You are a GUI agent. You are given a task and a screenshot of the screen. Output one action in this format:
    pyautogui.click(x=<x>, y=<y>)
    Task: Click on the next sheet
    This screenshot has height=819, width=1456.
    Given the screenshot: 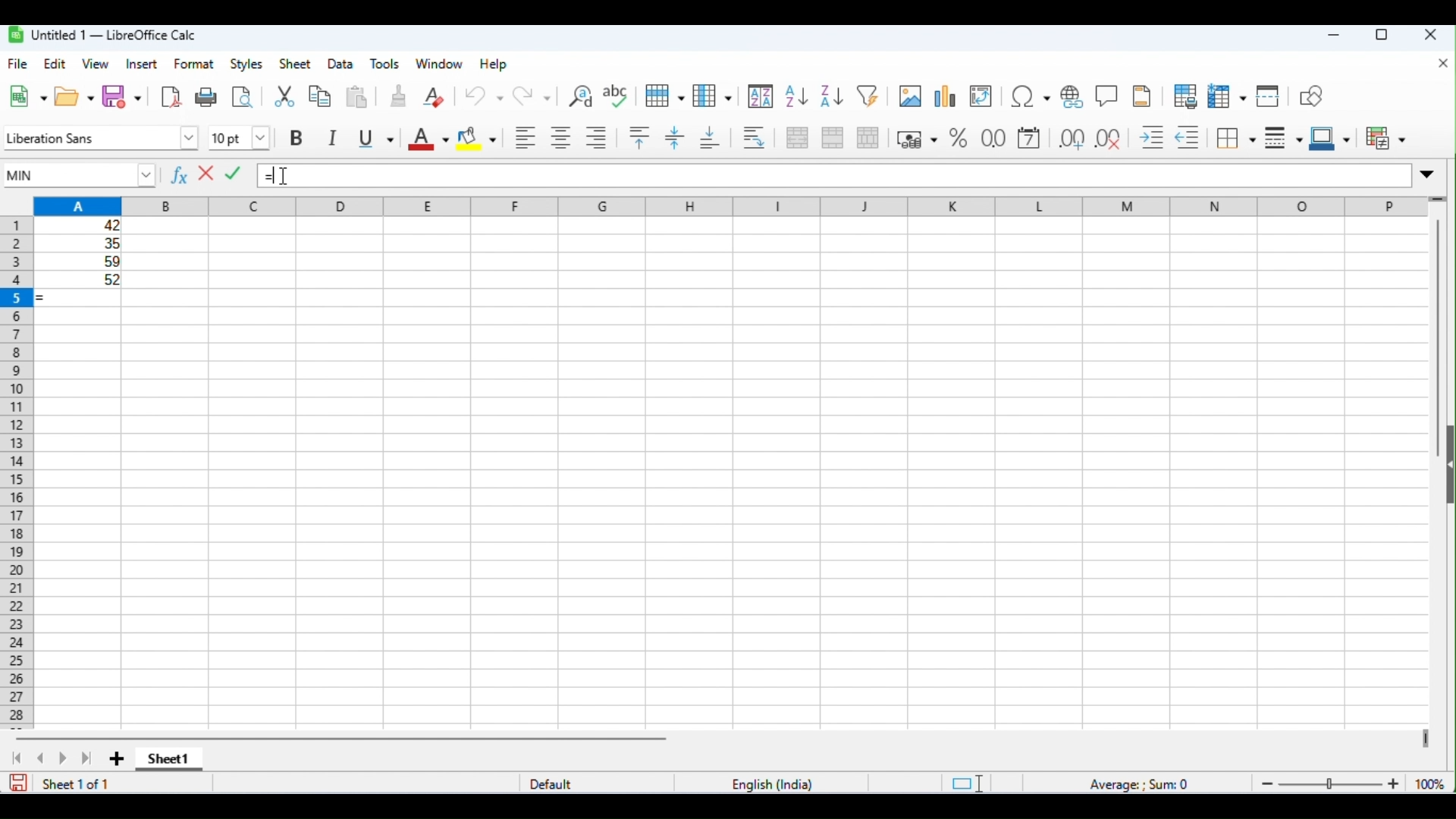 What is the action you would take?
    pyautogui.click(x=64, y=758)
    